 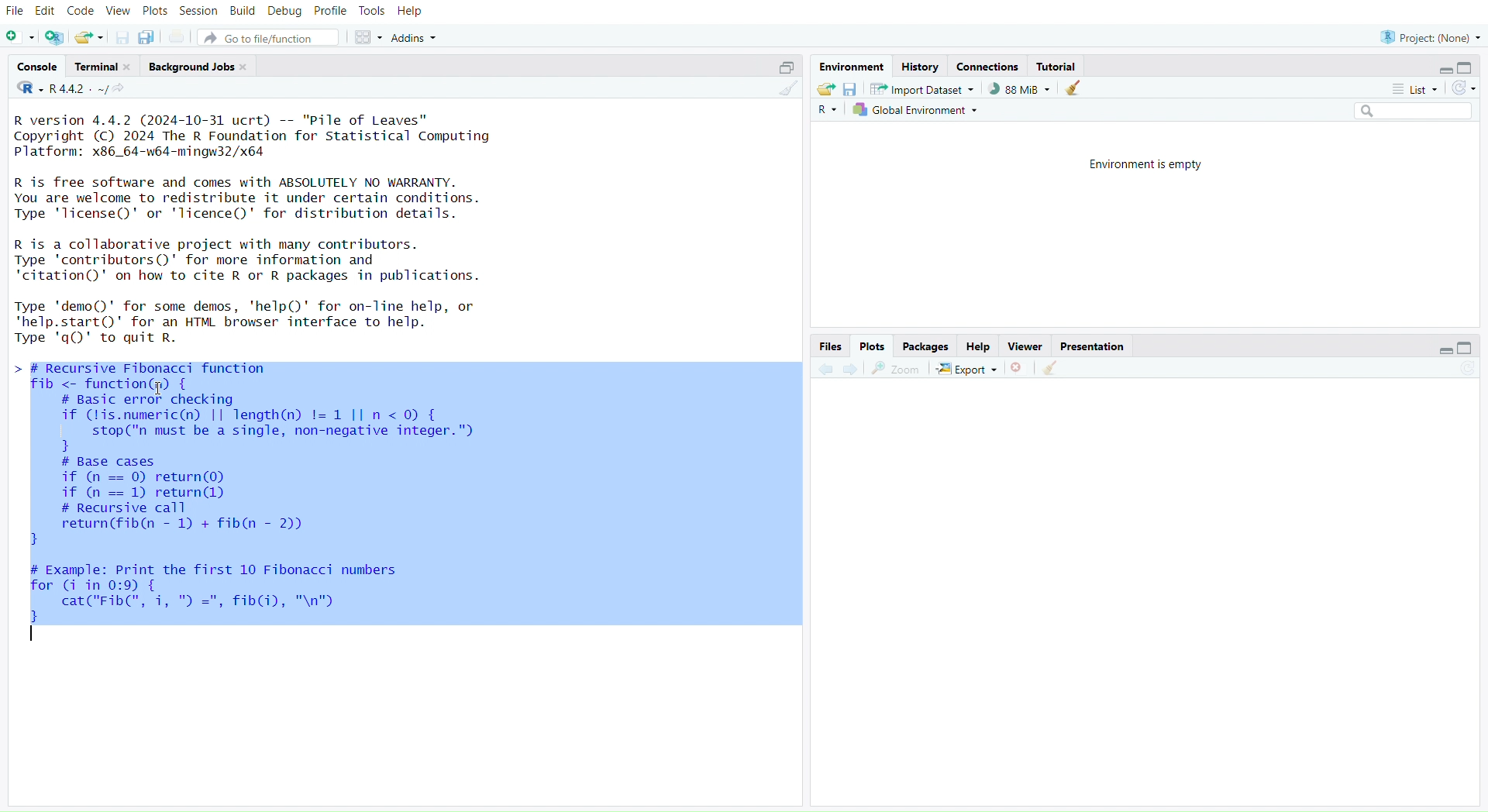 What do you see at coordinates (104, 67) in the screenshot?
I see `terminal` at bounding box center [104, 67].